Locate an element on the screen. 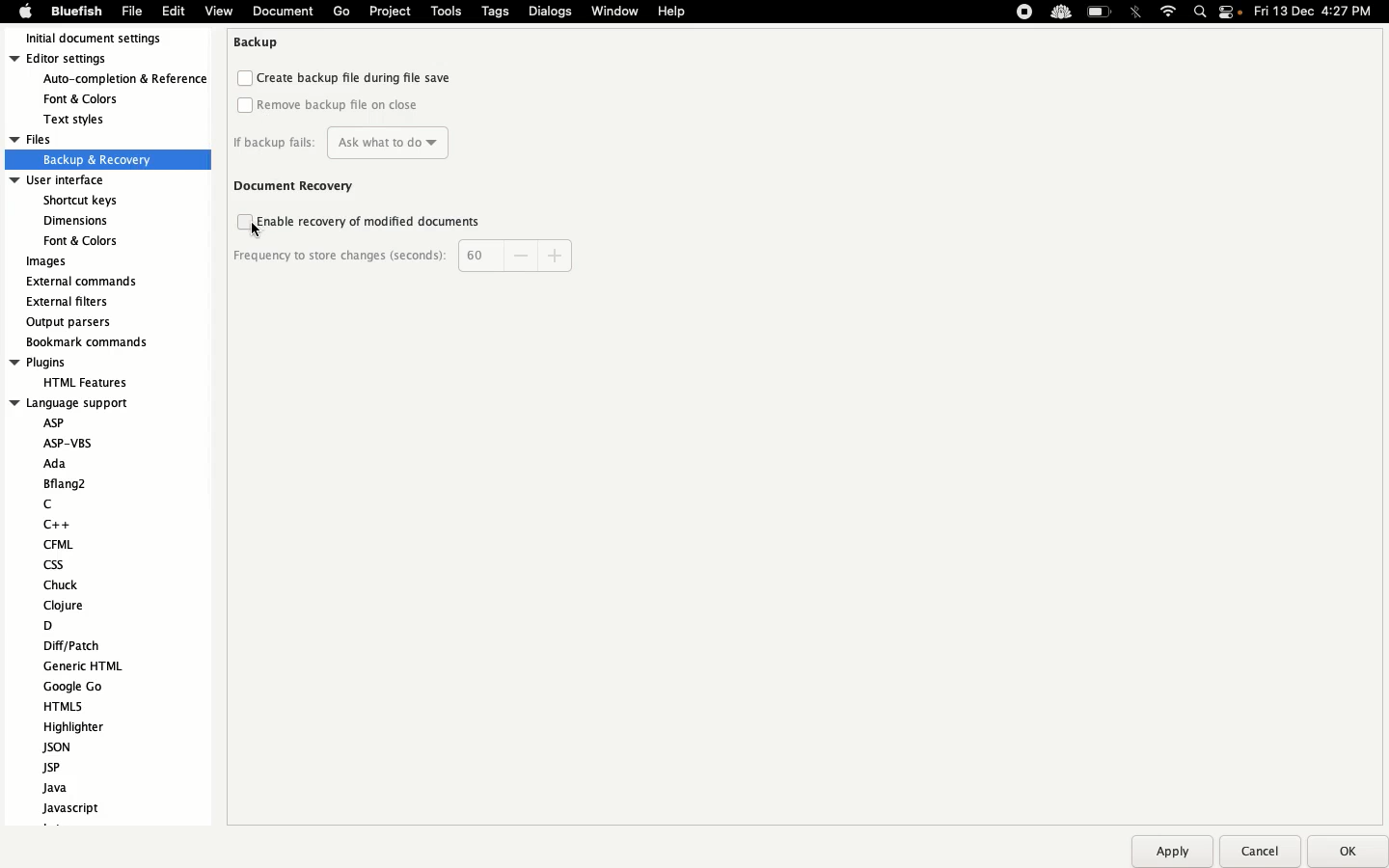 This screenshot has height=868, width=1389. Create backup file during file save is located at coordinates (348, 78).